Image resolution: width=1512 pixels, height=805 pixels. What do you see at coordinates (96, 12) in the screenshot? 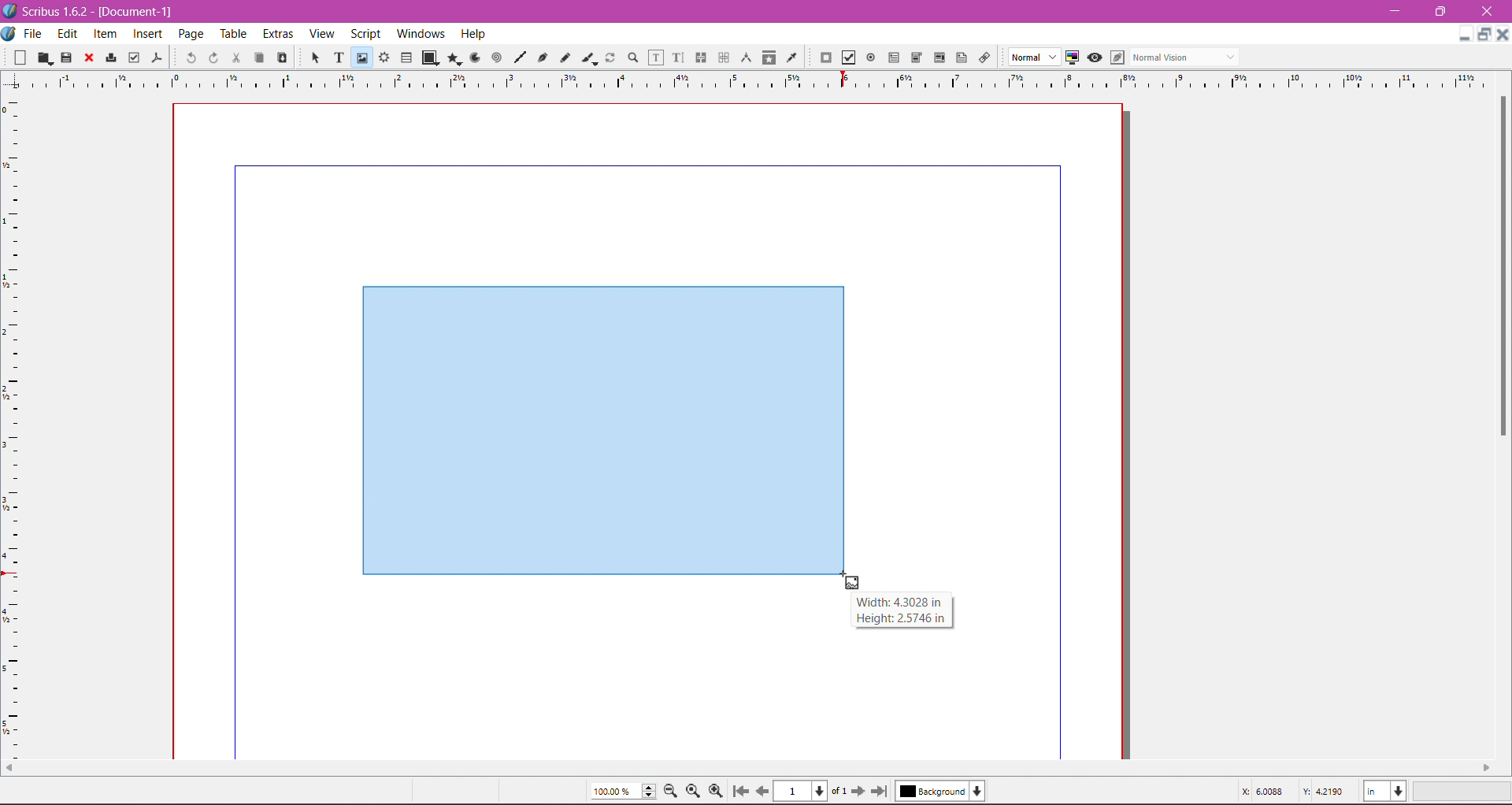
I see `Application Name, Version - Document Title` at bounding box center [96, 12].